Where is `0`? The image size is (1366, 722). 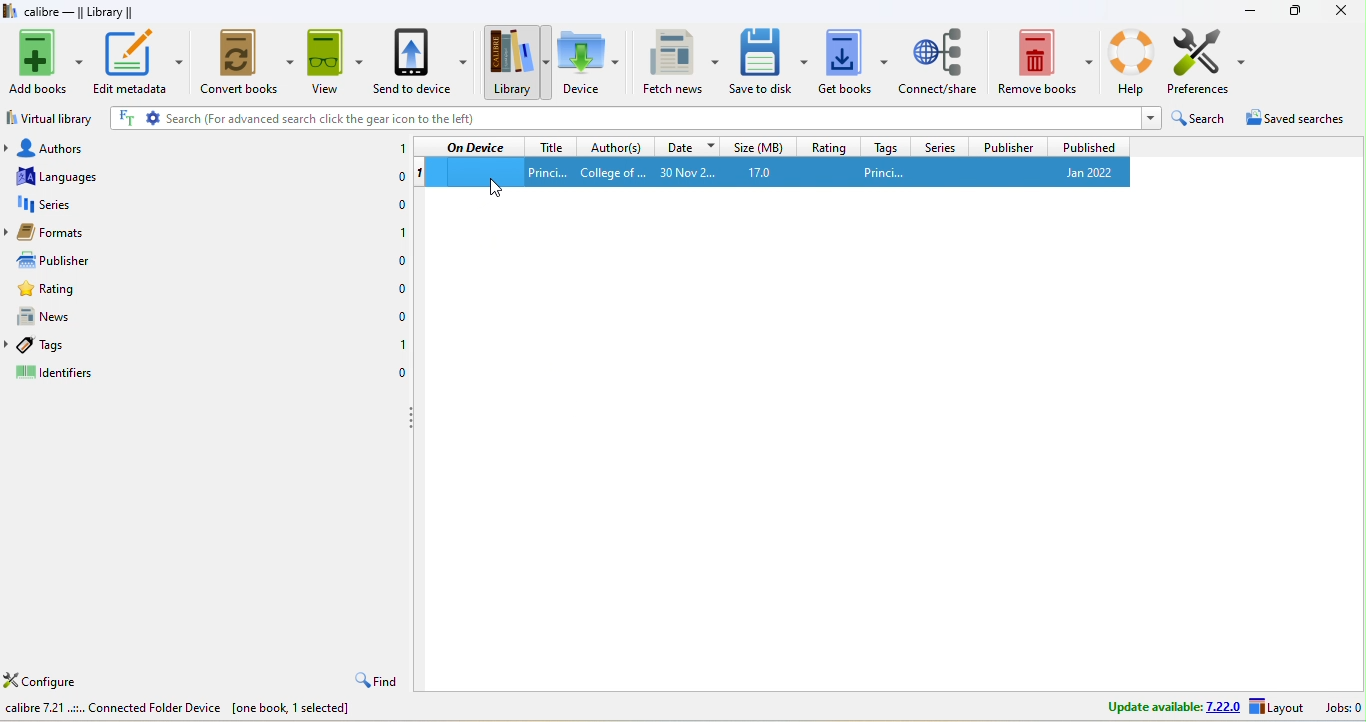 0 is located at coordinates (401, 374).